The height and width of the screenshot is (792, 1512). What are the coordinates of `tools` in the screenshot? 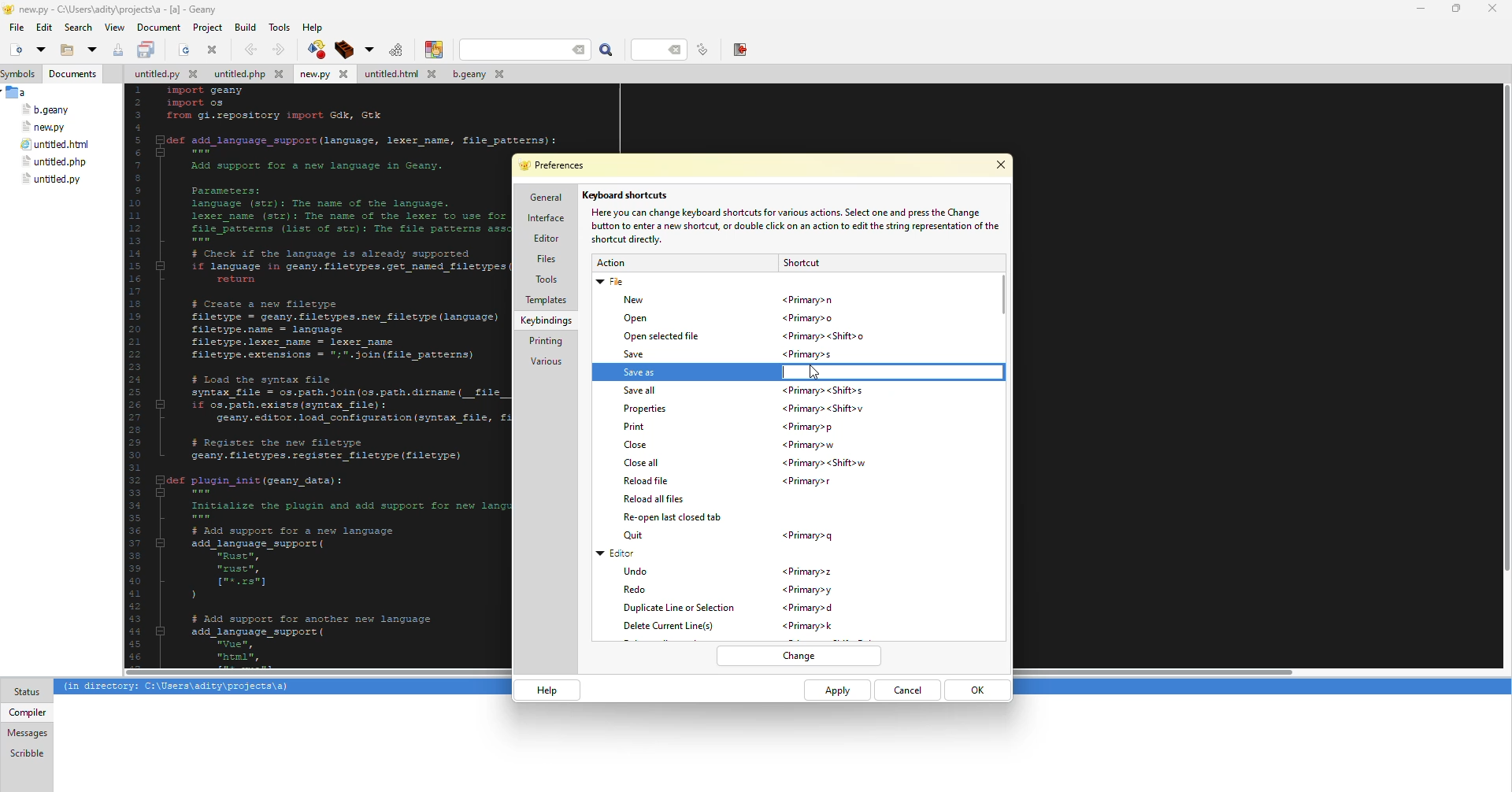 It's located at (282, 26).